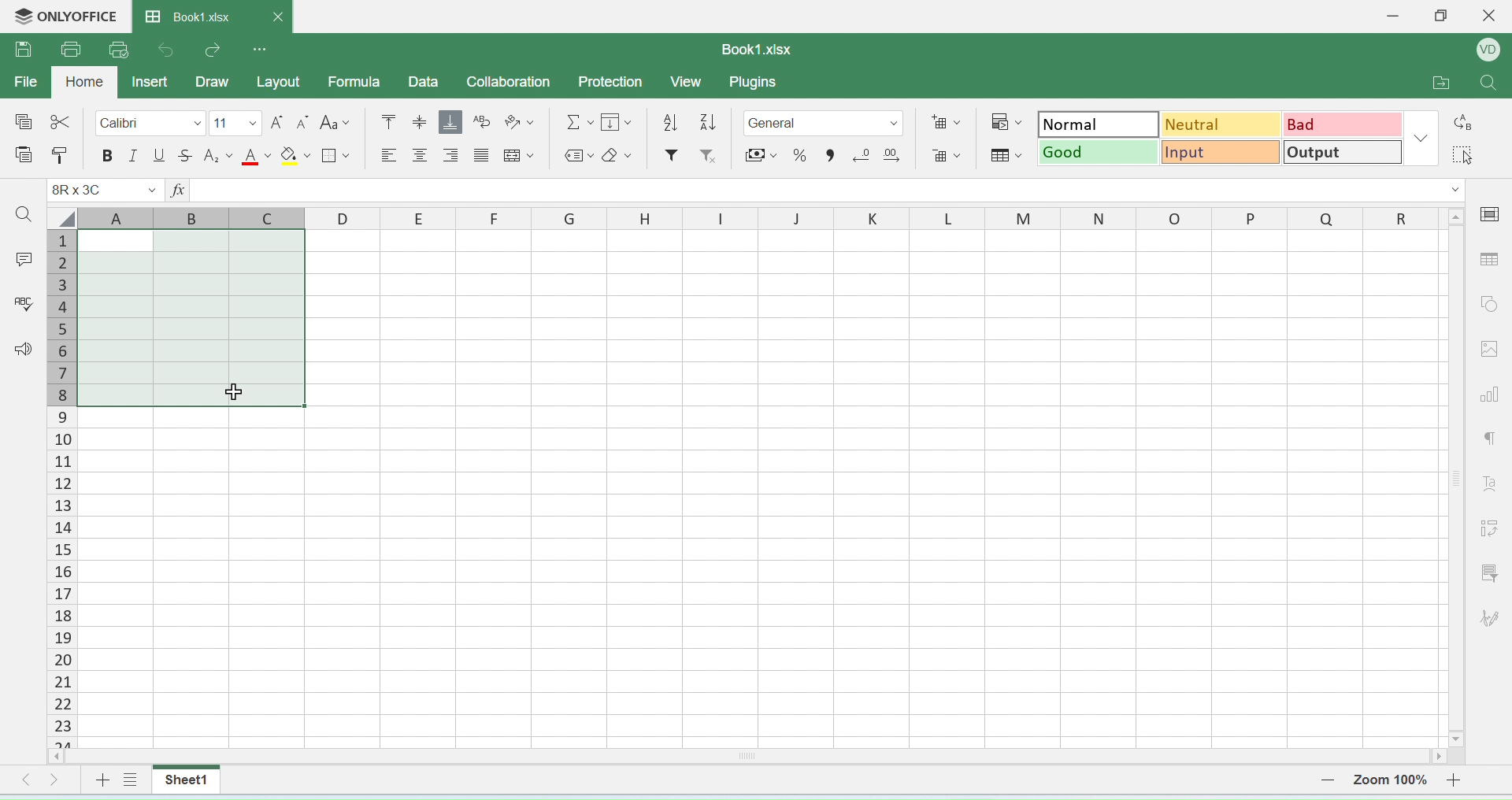  What do you see at coordinates (134, 156) in the screenshot?
I see `italics` at bounding box center [134, 156].